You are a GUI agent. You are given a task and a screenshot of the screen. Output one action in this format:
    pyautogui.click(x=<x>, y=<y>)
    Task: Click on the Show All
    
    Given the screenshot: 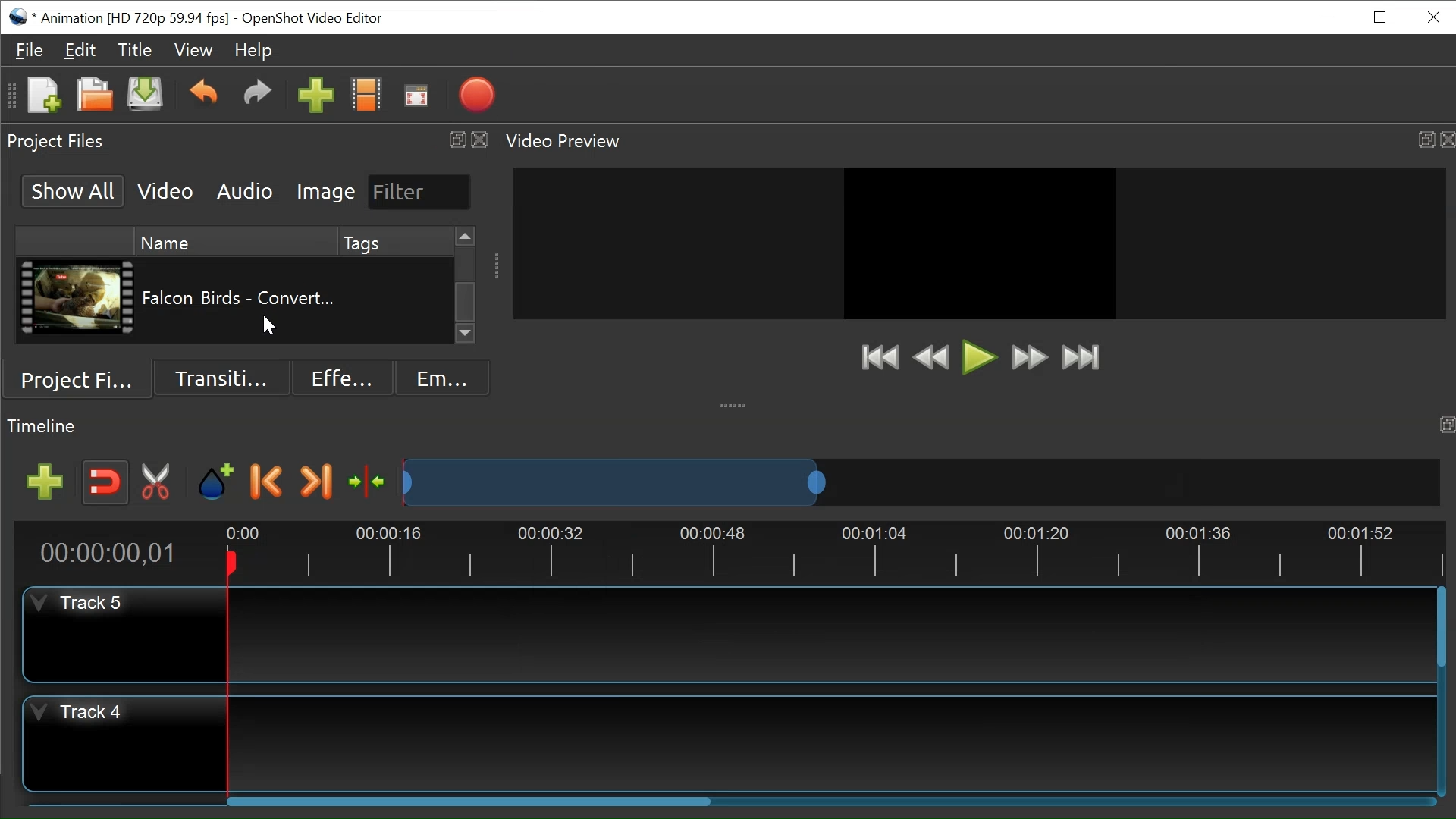 What is the action you would take?
    pyautogui.click(x=74, y=190)
    